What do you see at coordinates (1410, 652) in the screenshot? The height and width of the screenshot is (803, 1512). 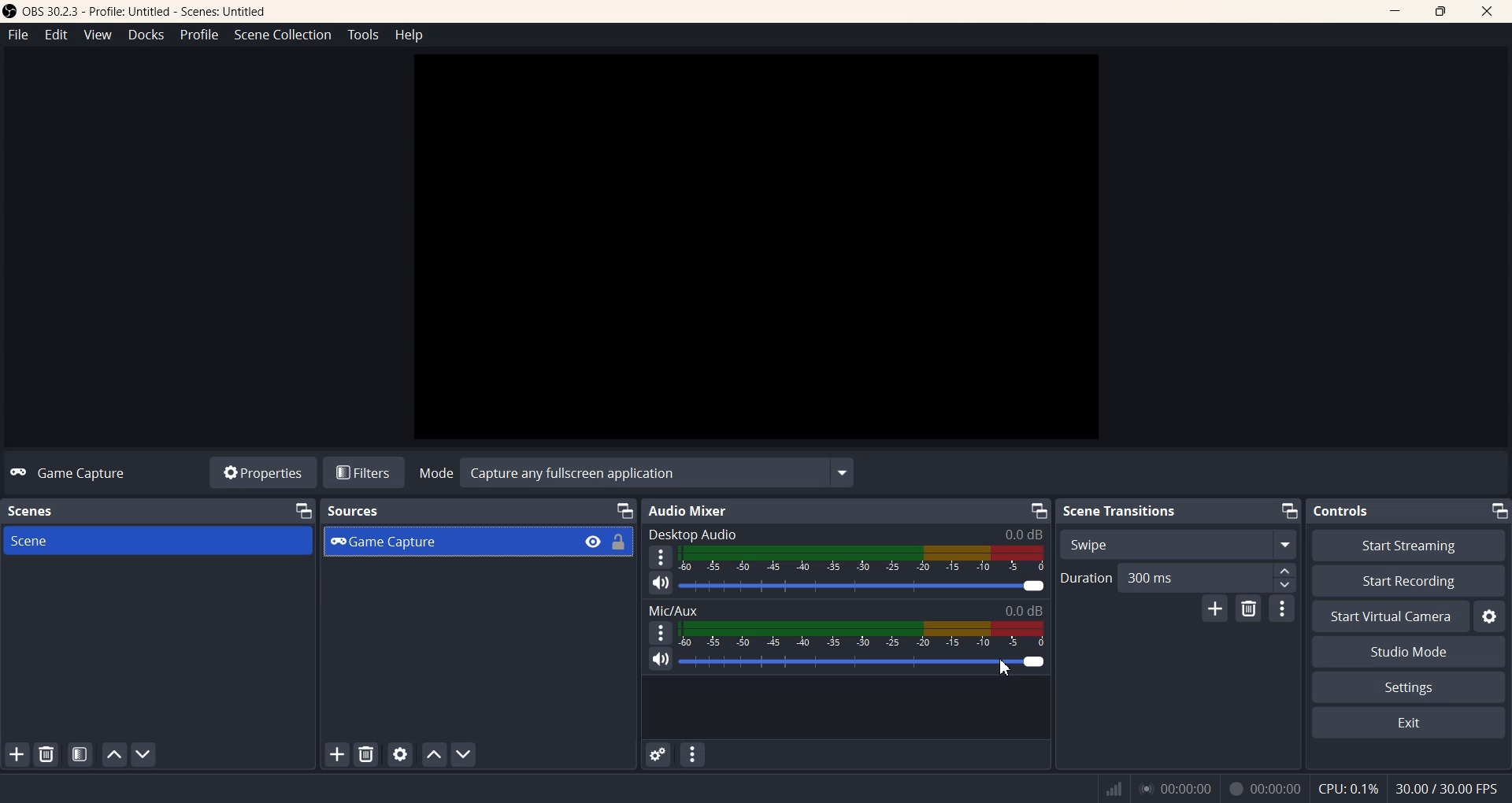 I see `Studio Mode` at bounding box center [1410, 652].